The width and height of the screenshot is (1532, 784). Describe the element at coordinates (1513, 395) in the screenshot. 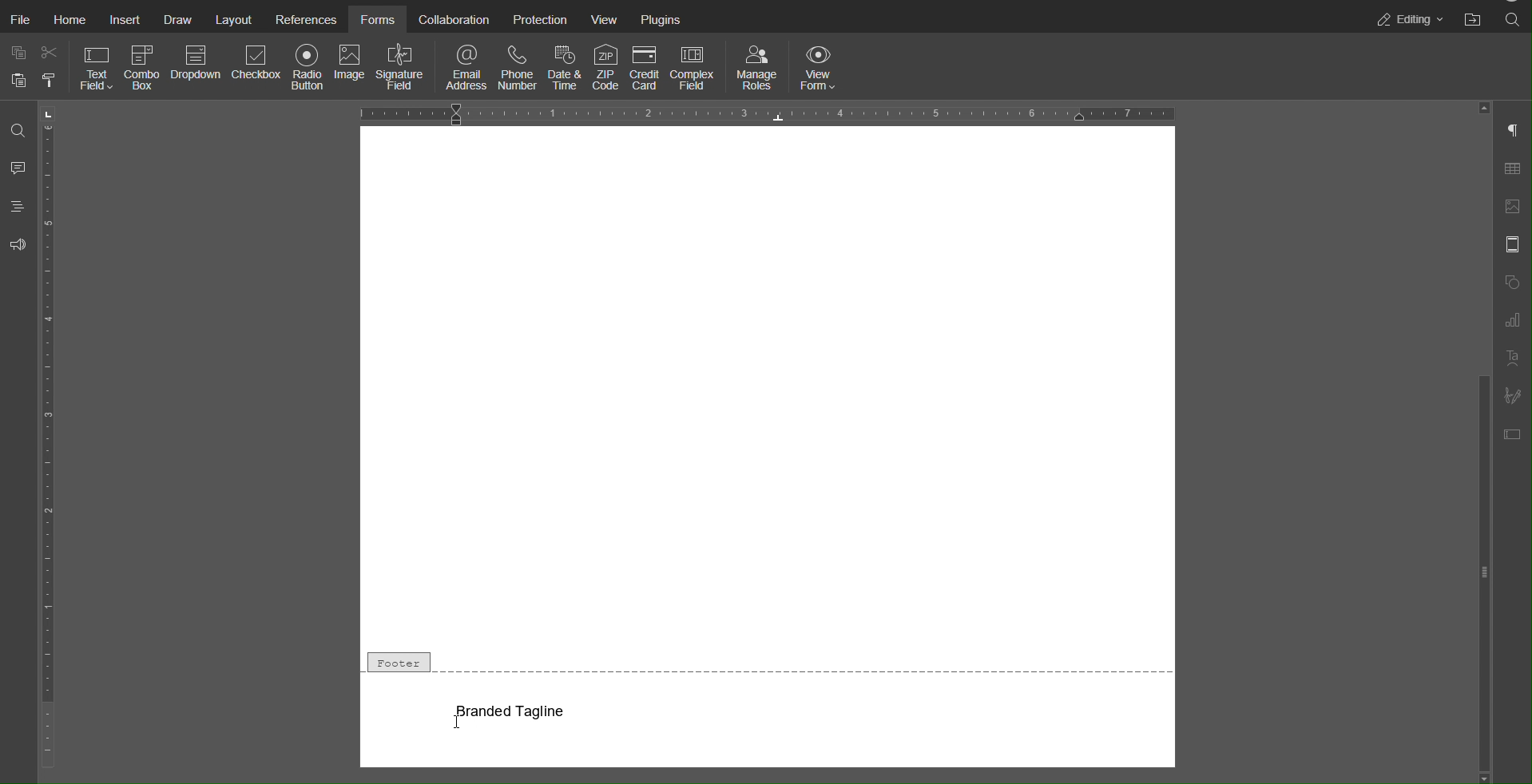

I see `Signature` at that location.